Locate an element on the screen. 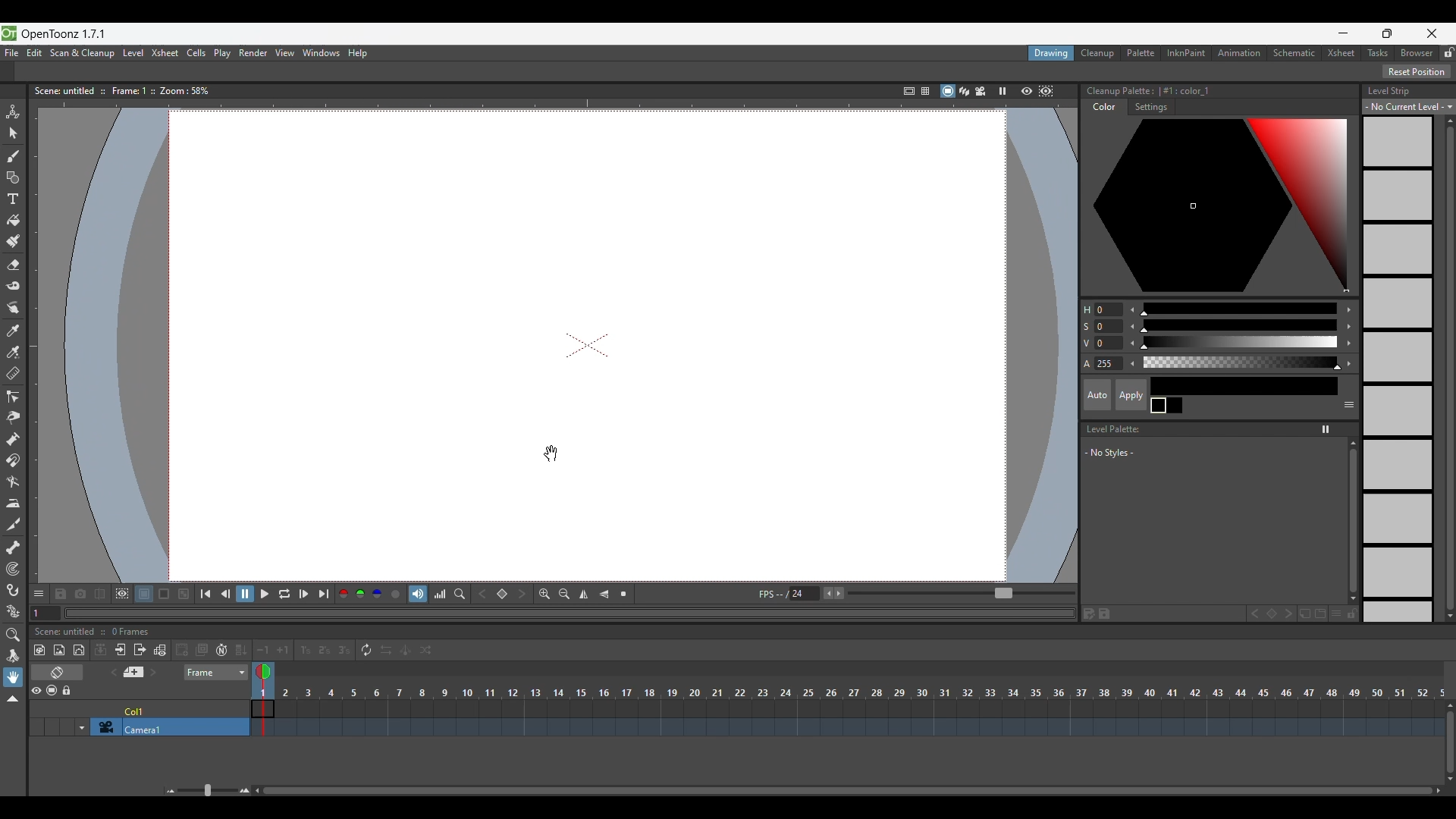  Loop is located at coordinates (284, 593).